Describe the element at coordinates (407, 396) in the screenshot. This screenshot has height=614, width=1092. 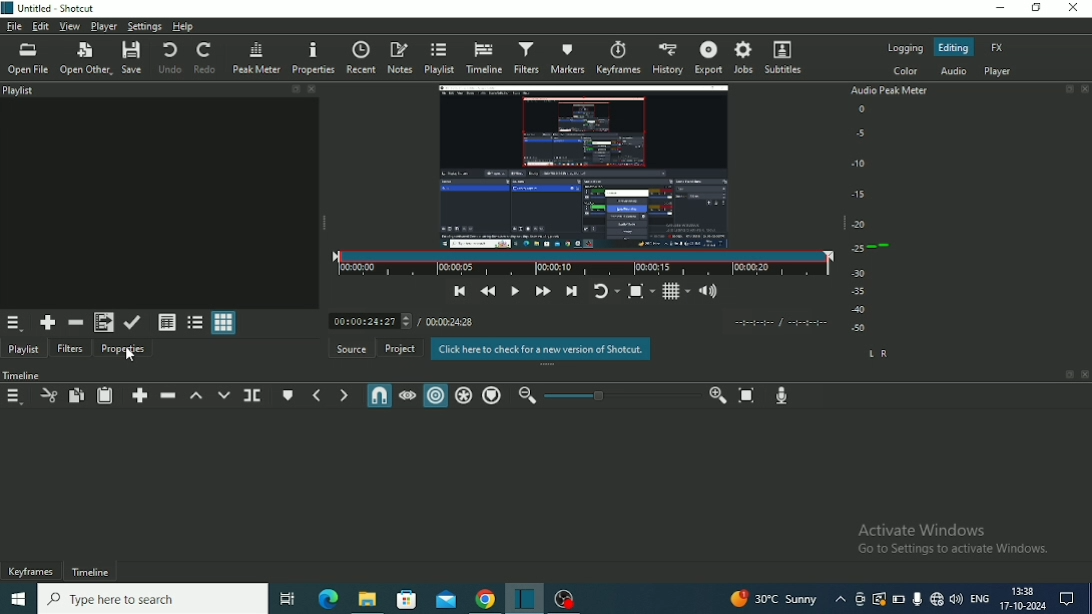
I see `Scrub while dragging` at that location.